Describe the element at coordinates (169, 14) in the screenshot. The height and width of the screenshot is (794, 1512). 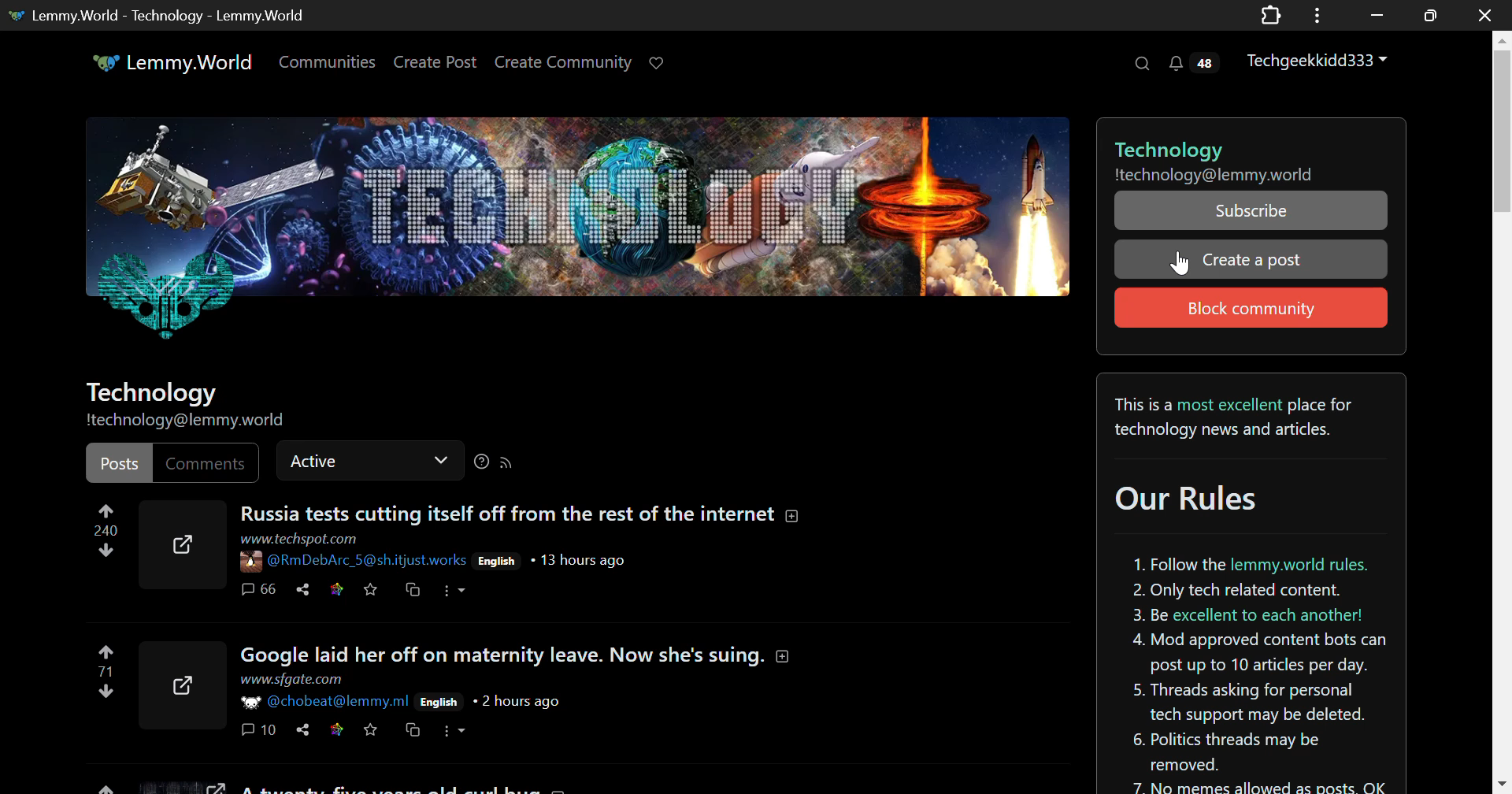
I see `Lemmy.World - Technology - Lemmy.World` at that location.